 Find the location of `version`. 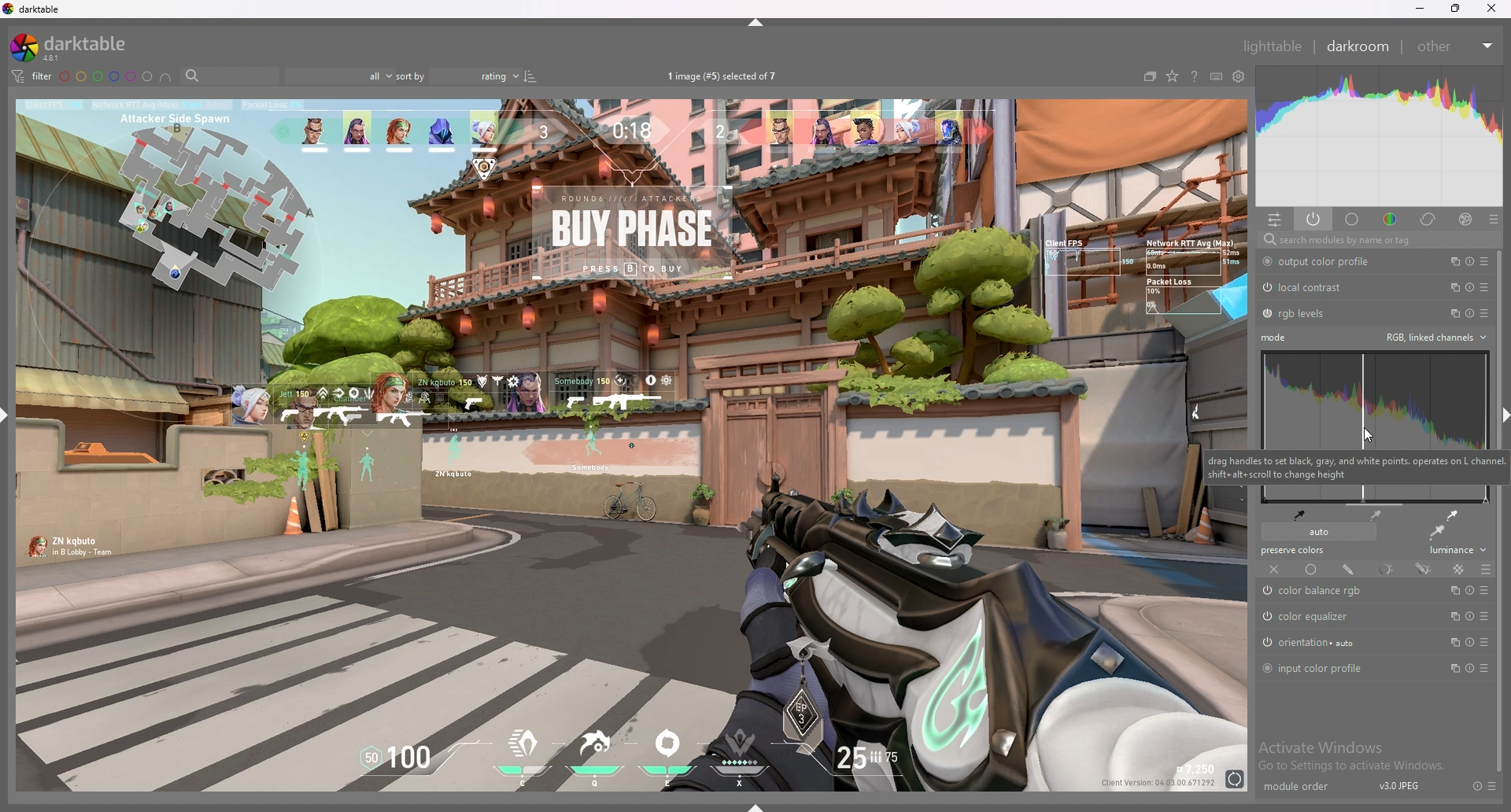

version is located at coordinates (1400, 788).